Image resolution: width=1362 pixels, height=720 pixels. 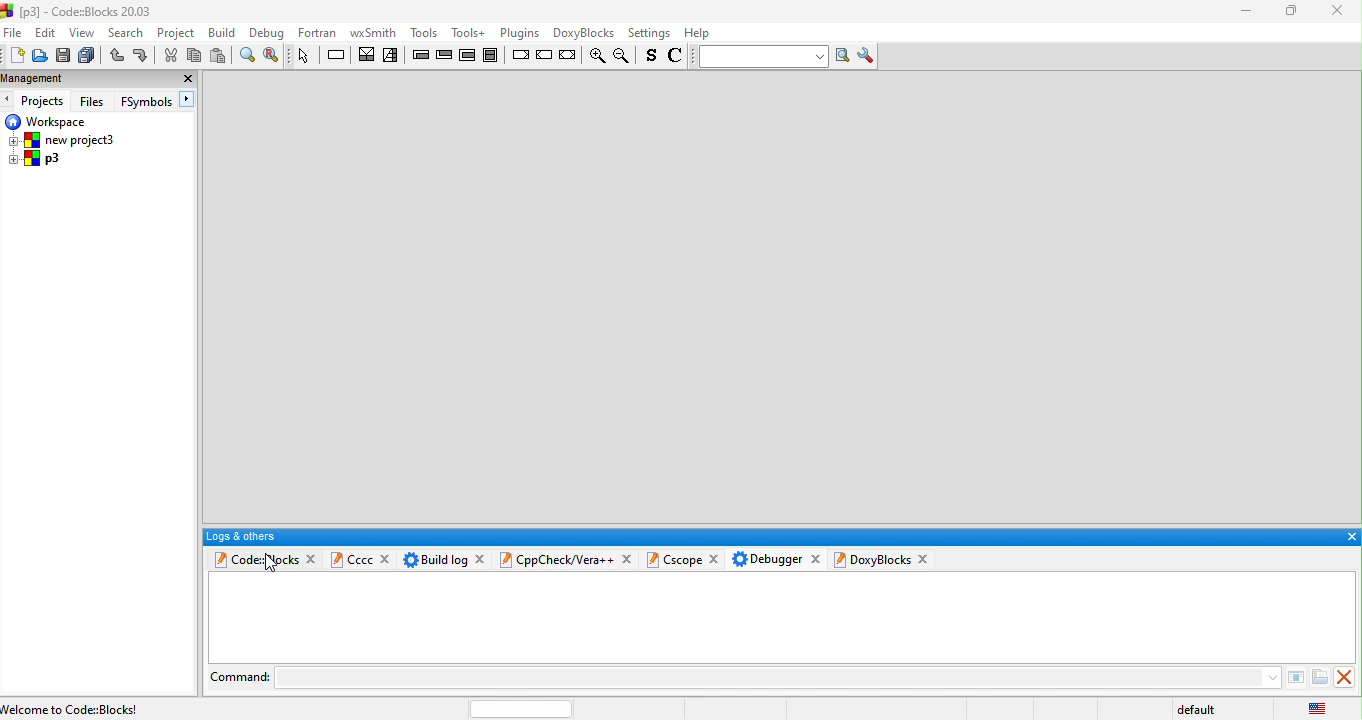 What do you see at coordinates (312, 559) in the screenshot?
I see `close` at bounding box center [312, 559].